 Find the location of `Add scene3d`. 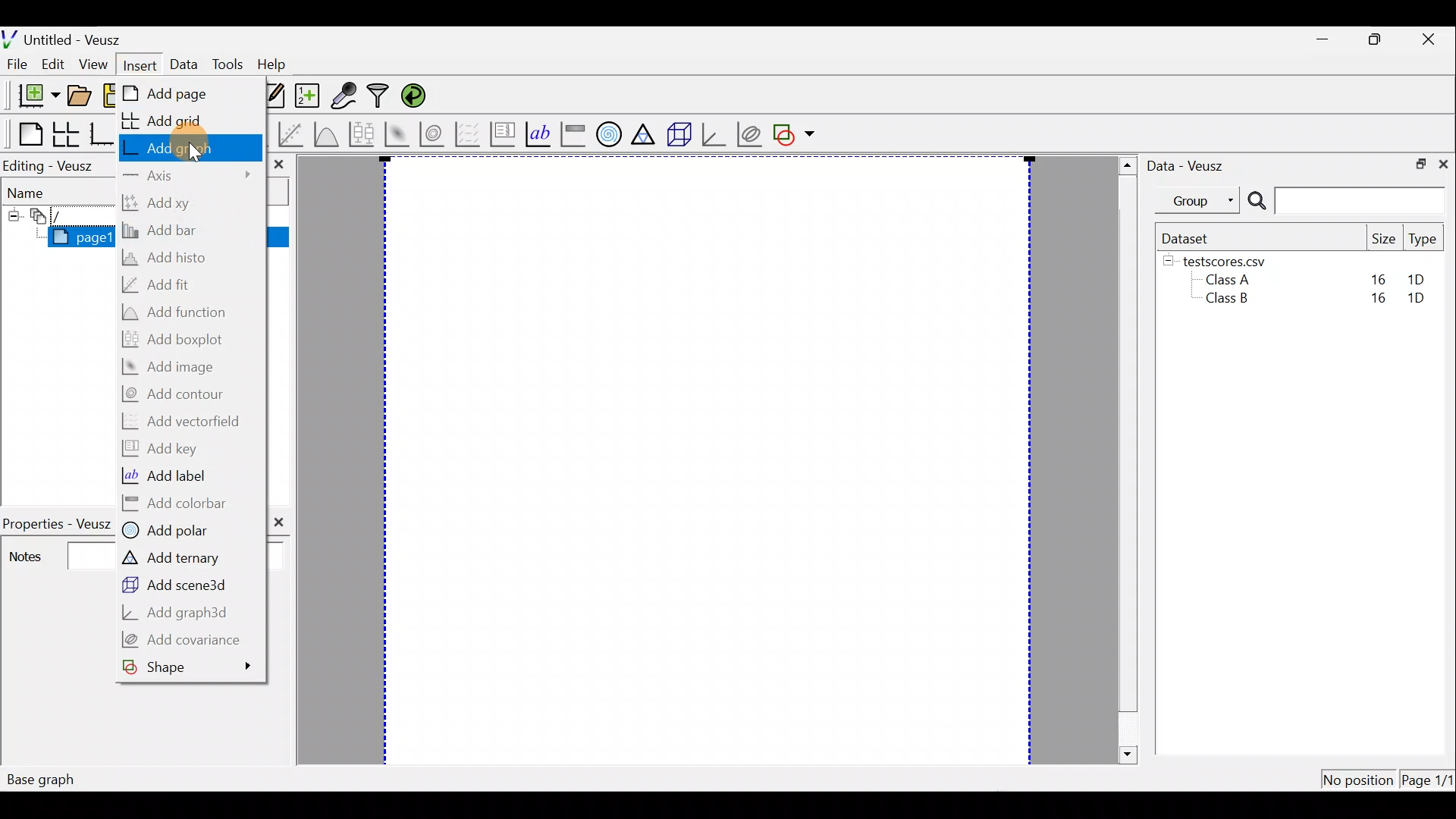

Add scene3d is located at coordinates (174, 585).